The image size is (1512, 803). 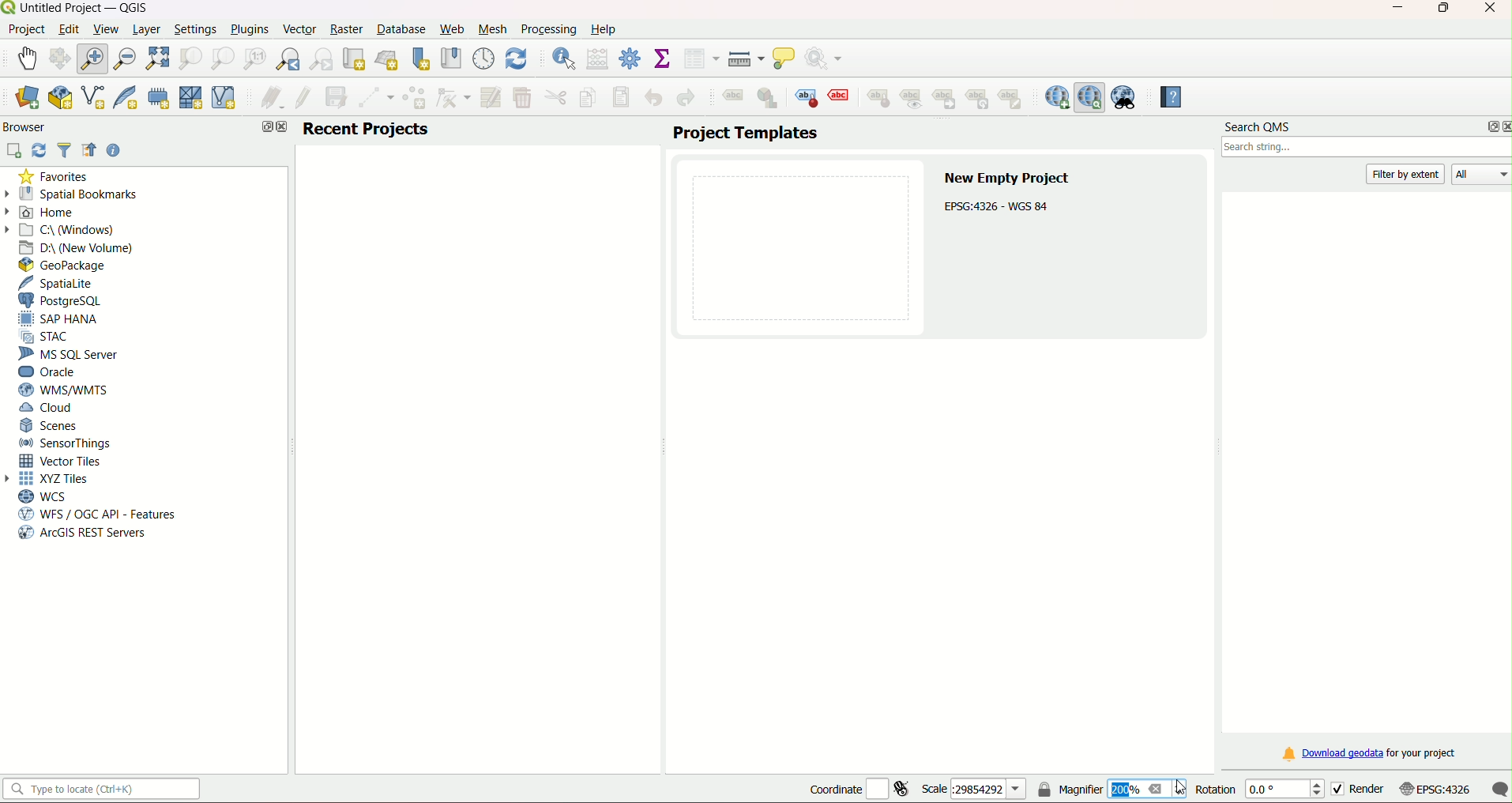 What do you see at coordinates (807, 97) in the screenshot?
I see `highlight pinned` at bounding box center [807, 97].